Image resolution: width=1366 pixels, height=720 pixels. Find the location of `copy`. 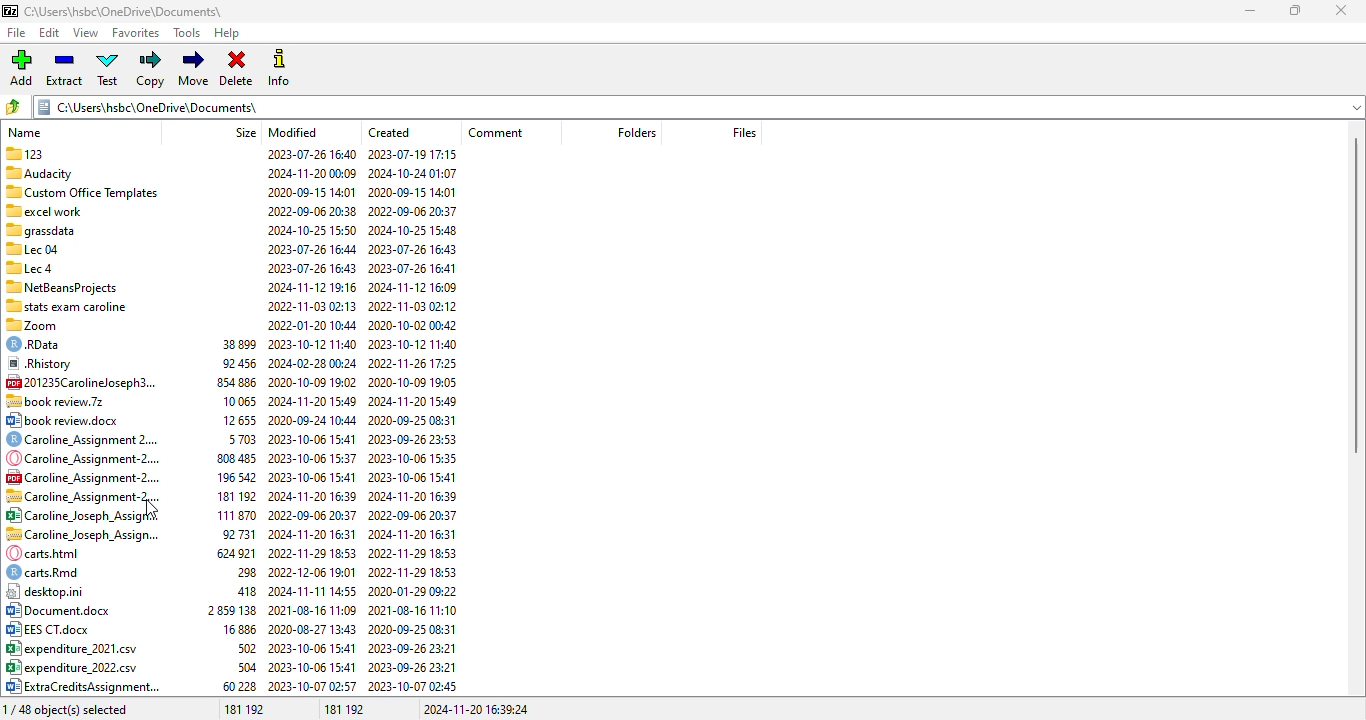

copy is located at coordinates (152, 69).